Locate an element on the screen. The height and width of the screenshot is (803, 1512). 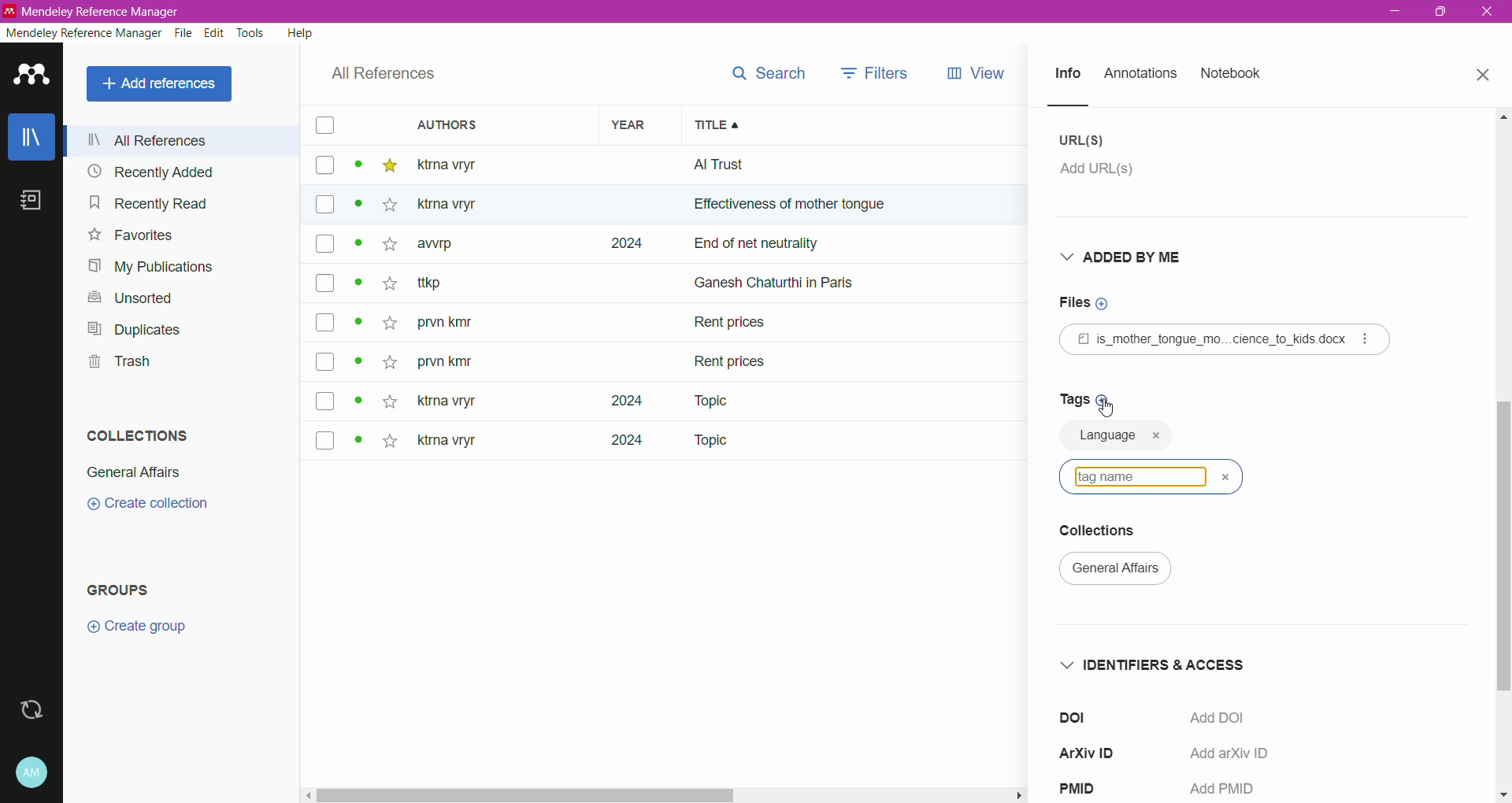
Tools is located at coordinates (252, 33).